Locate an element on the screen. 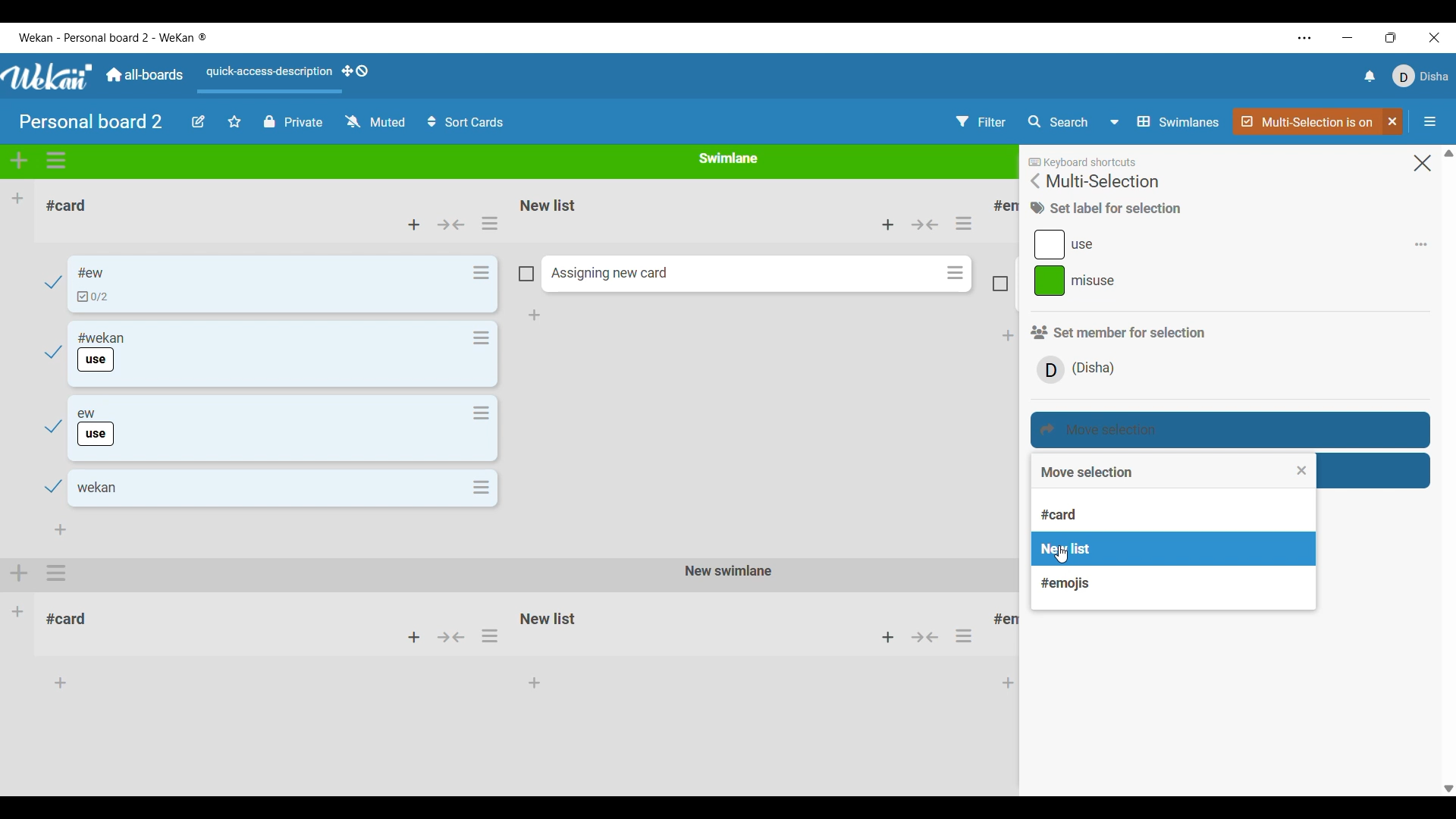 Image resolution: width=1456 pixels, height=819 pixels. Title of current menu is located at coordinates (1103, 180).